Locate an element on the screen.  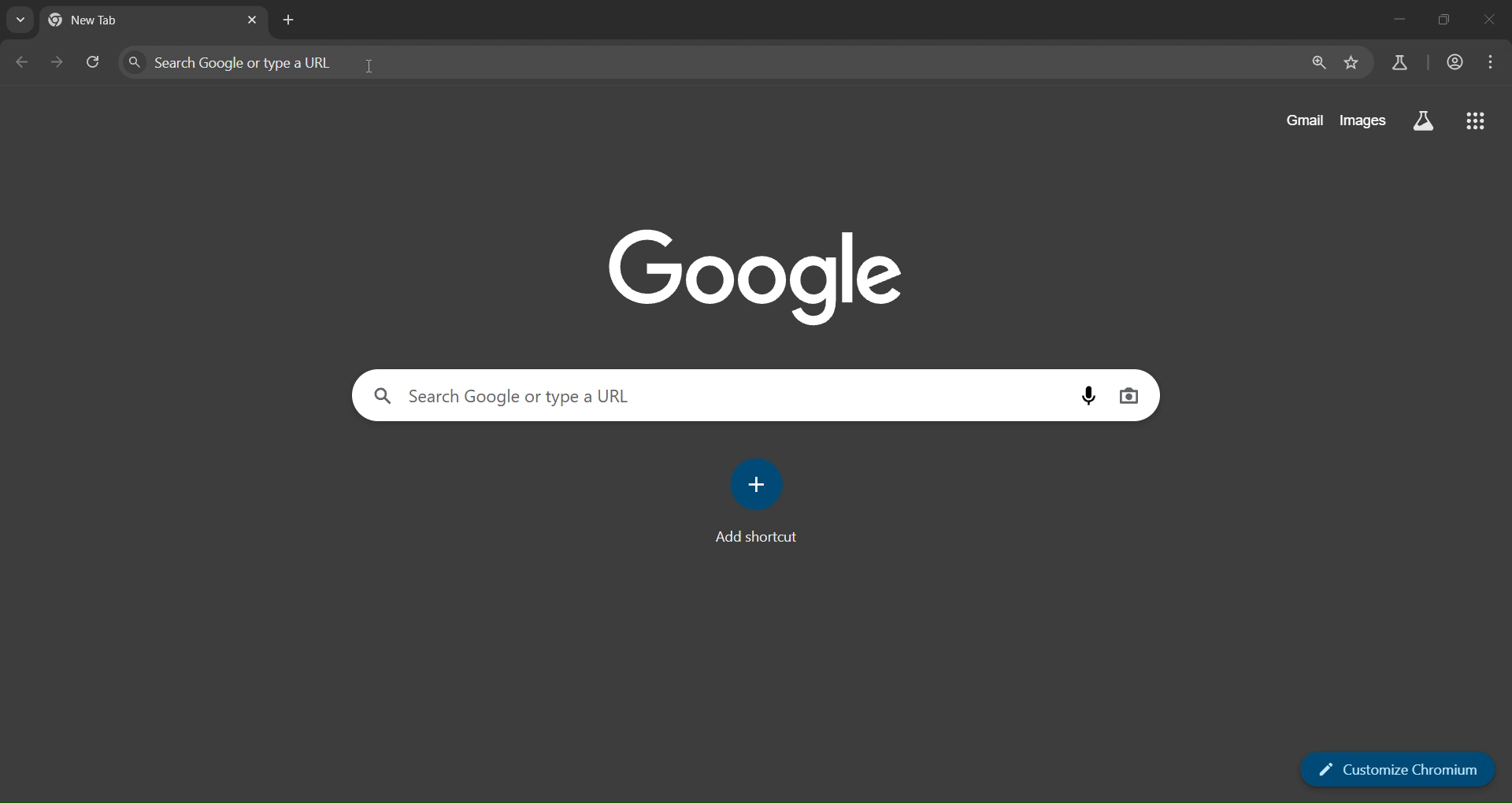
new tab is located at coordinates (291, 21).